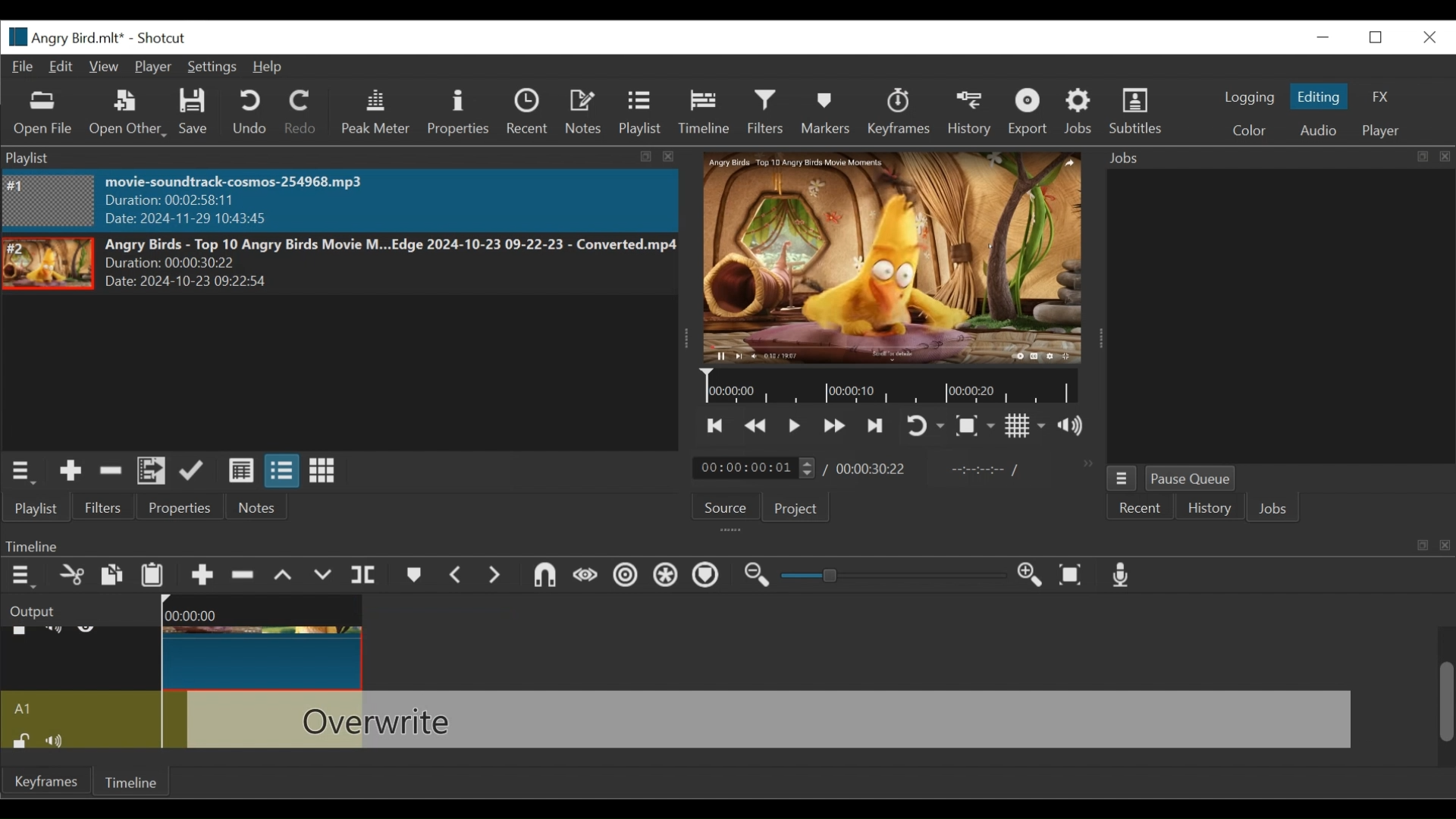 The width and height of the screenshot is (1456, 819). Describe the element at coordinates (268, 201) in the screenshot. I see `movie-soundtrack-cosmos-254968.mp3
Duration: 00:02:58:11
Date: 2024-11-29 10:43:45` at that location.